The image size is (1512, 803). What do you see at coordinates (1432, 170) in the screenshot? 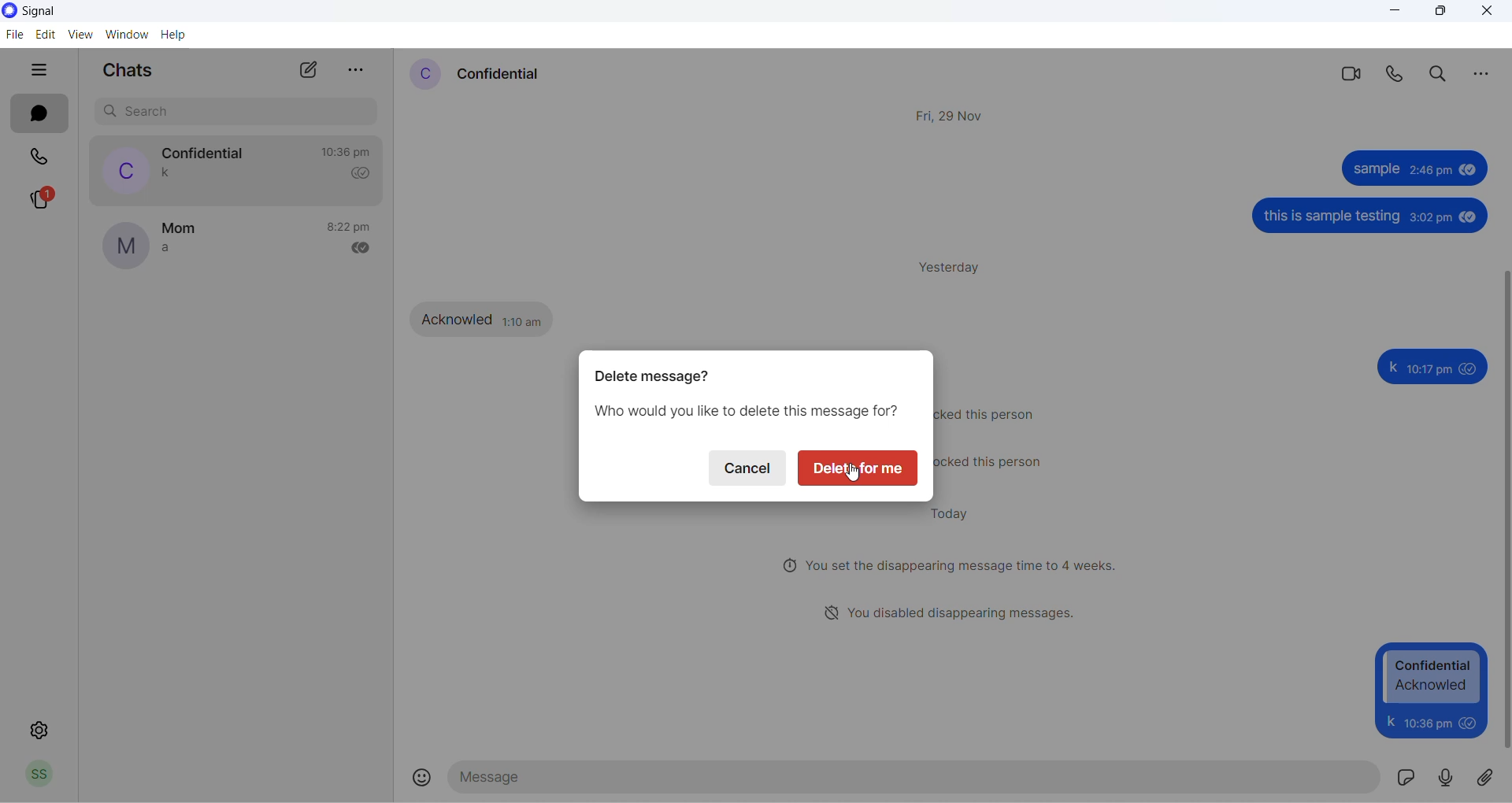
I see `2: 46 pm` at bounding box center [1432, 170].